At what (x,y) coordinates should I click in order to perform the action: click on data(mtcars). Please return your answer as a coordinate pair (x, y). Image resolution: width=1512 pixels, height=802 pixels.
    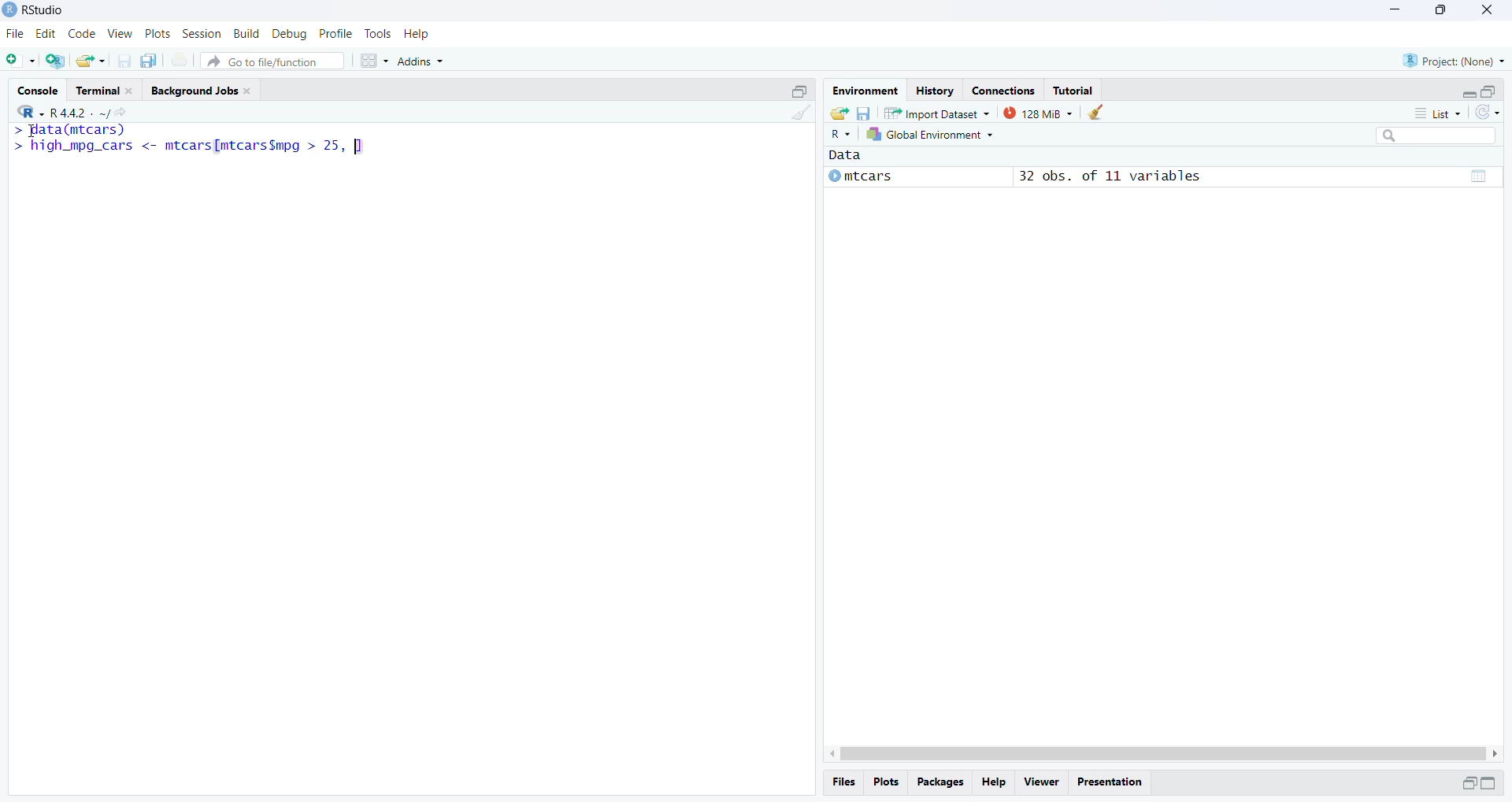
    Looking at the image, I should click on (69, 130).